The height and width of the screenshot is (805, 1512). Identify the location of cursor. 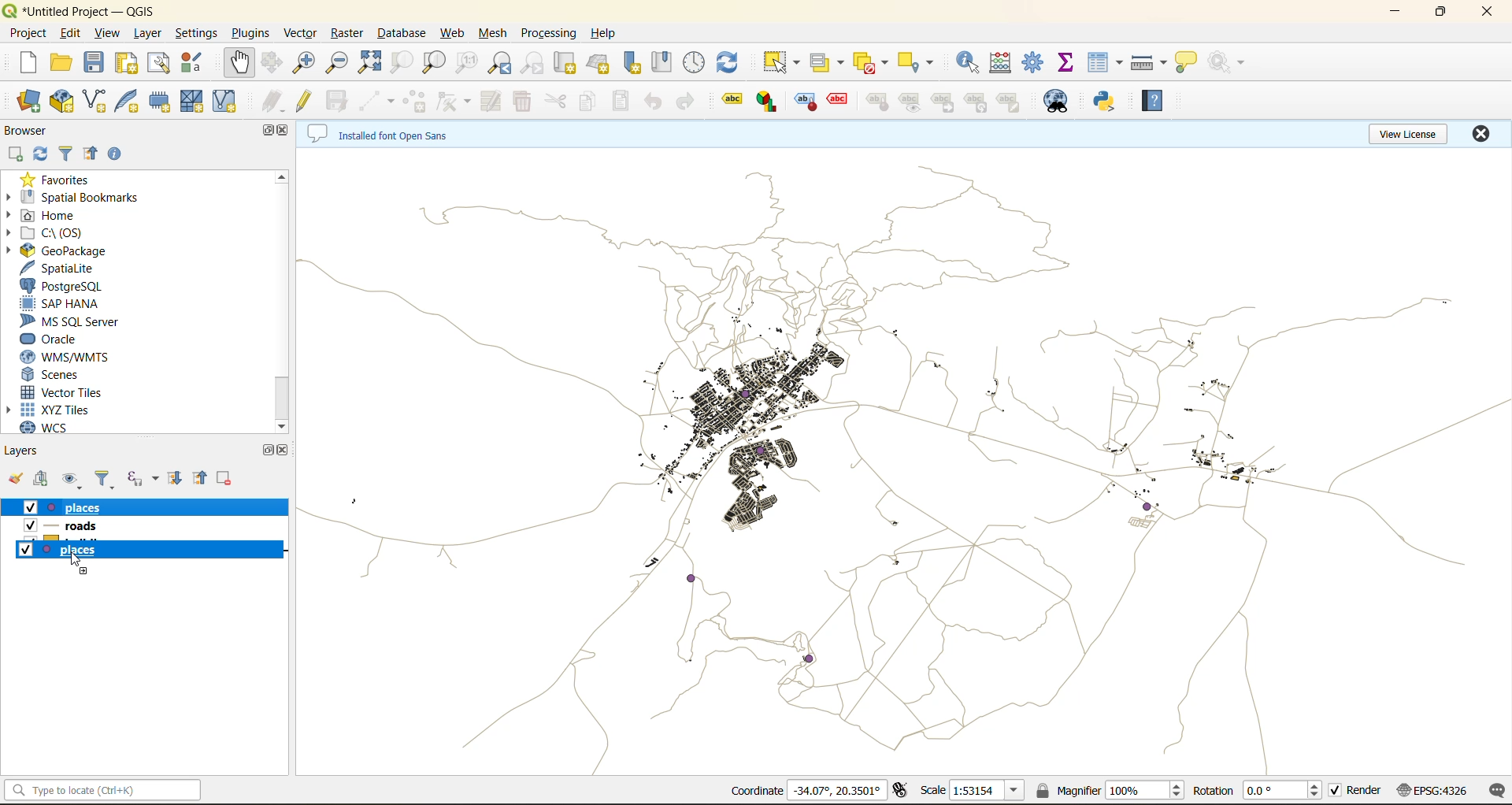
(75, 562).